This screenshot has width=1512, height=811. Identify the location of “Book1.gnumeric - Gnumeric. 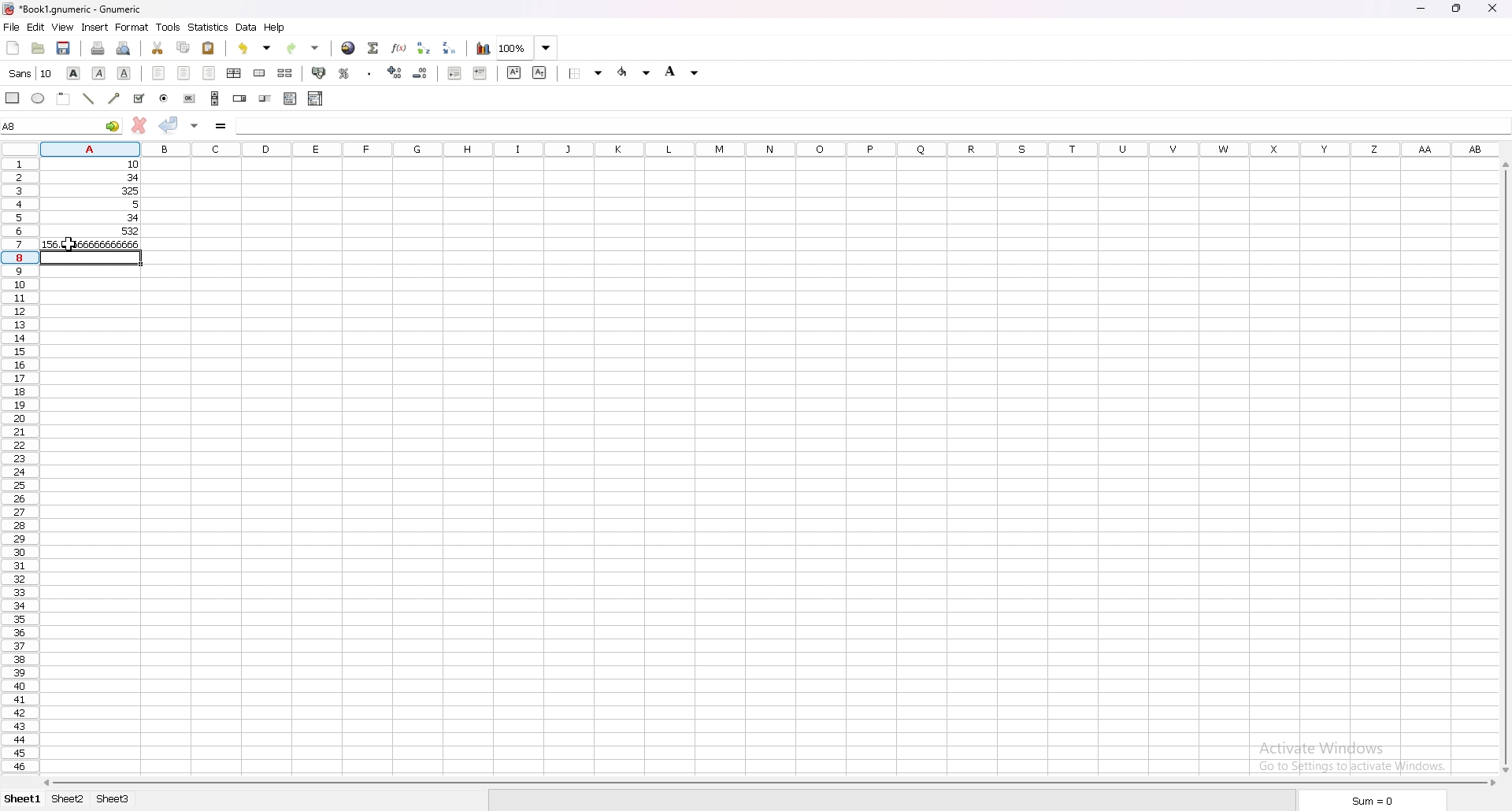
(86, 12).